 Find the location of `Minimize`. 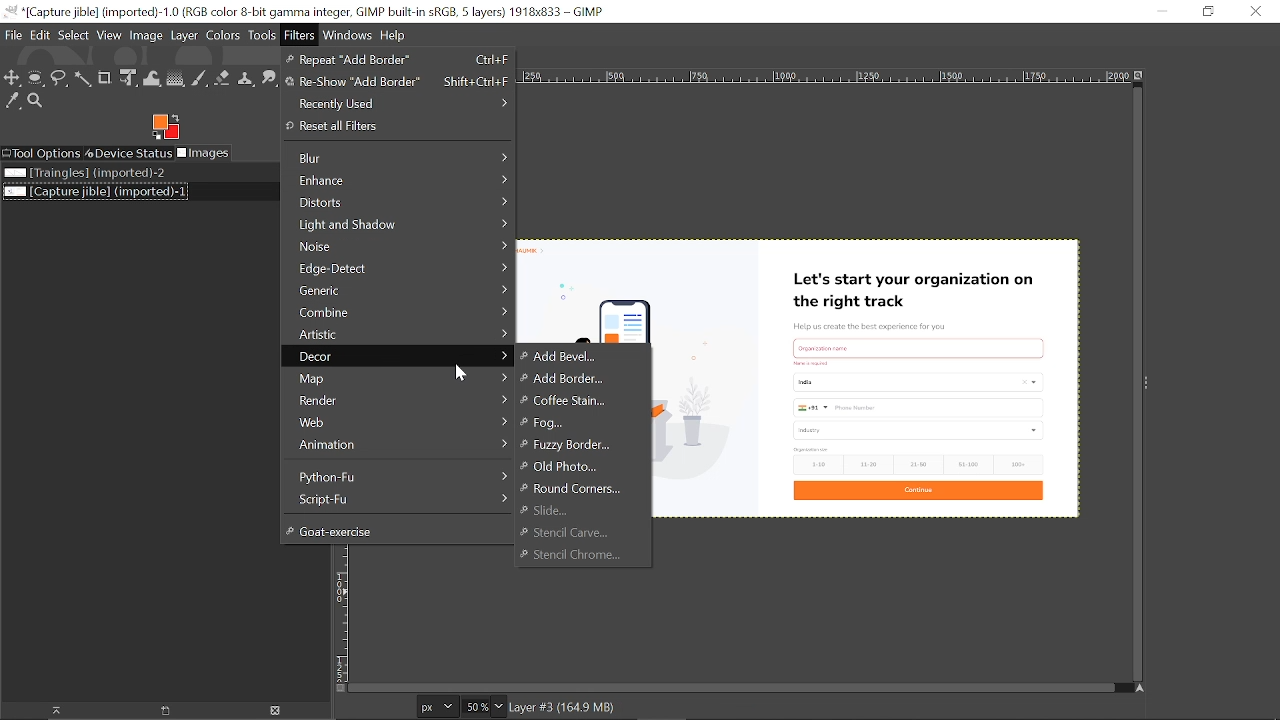

Minimize is located at coordinates (1157, 11).